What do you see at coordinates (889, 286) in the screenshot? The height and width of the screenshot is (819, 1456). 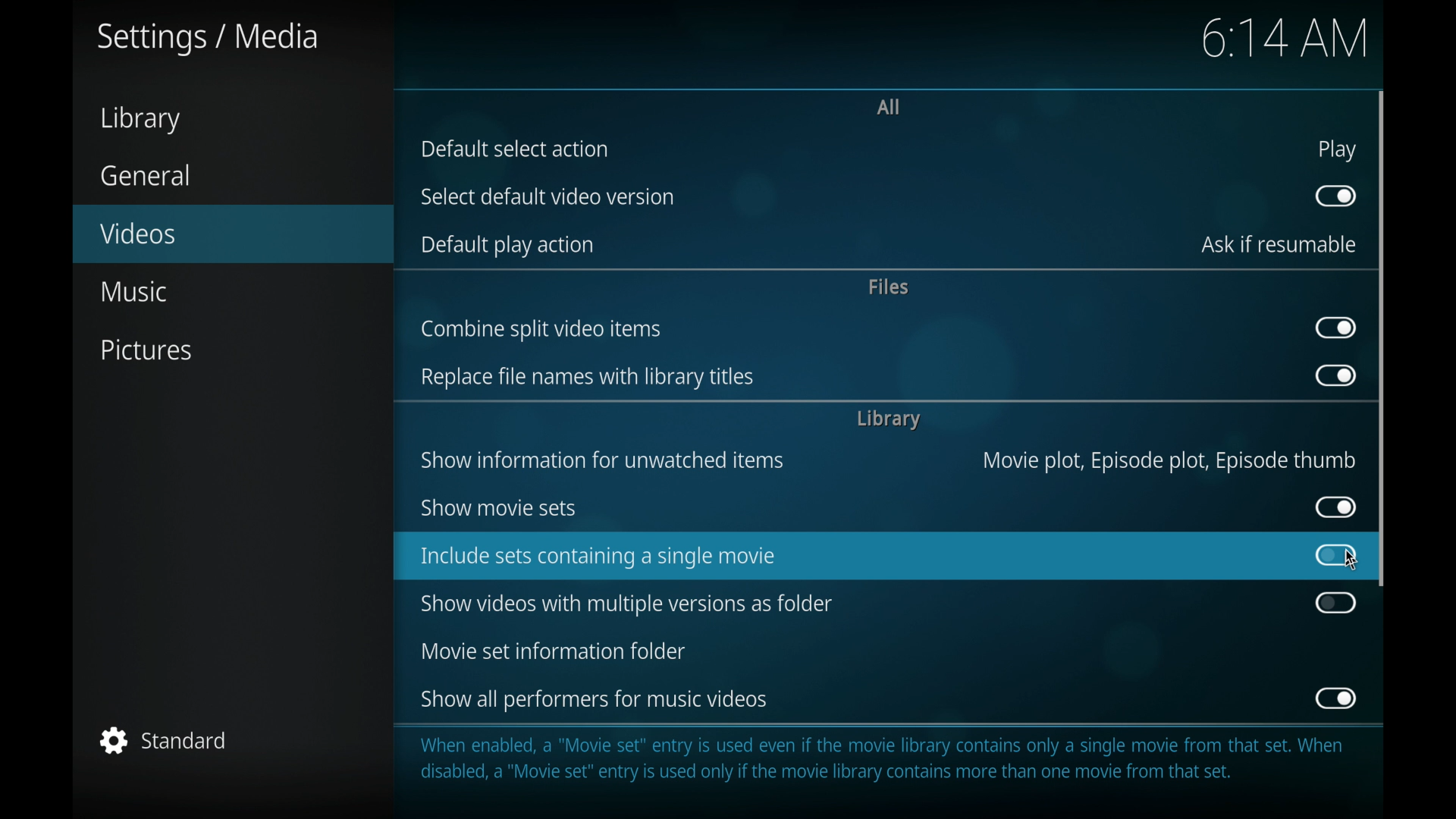 I see `files` at bounding box center [889, 286].